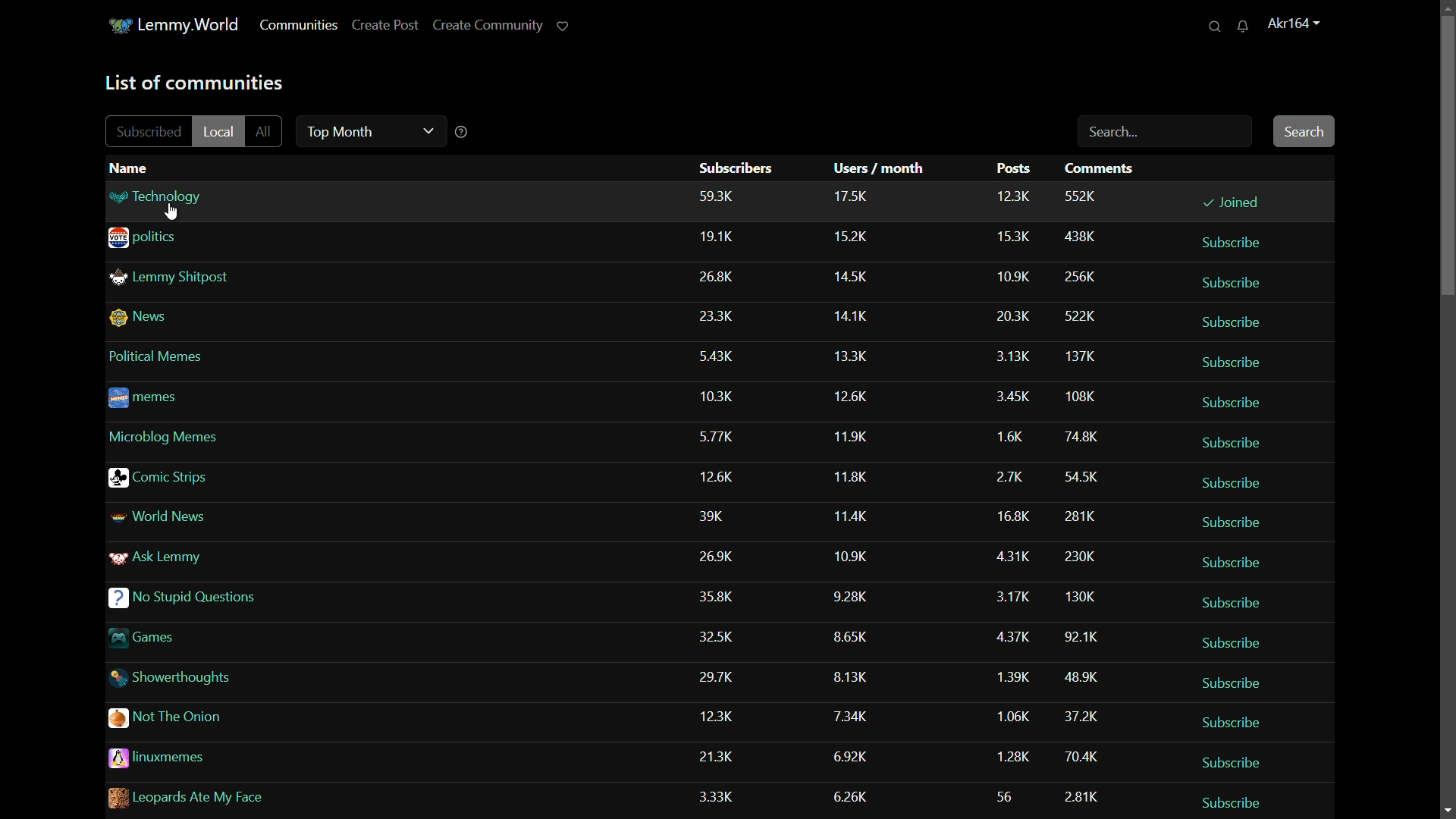  Describe the element at coordinates (172, 239) in the screenshot. I see `communities name` at that location.